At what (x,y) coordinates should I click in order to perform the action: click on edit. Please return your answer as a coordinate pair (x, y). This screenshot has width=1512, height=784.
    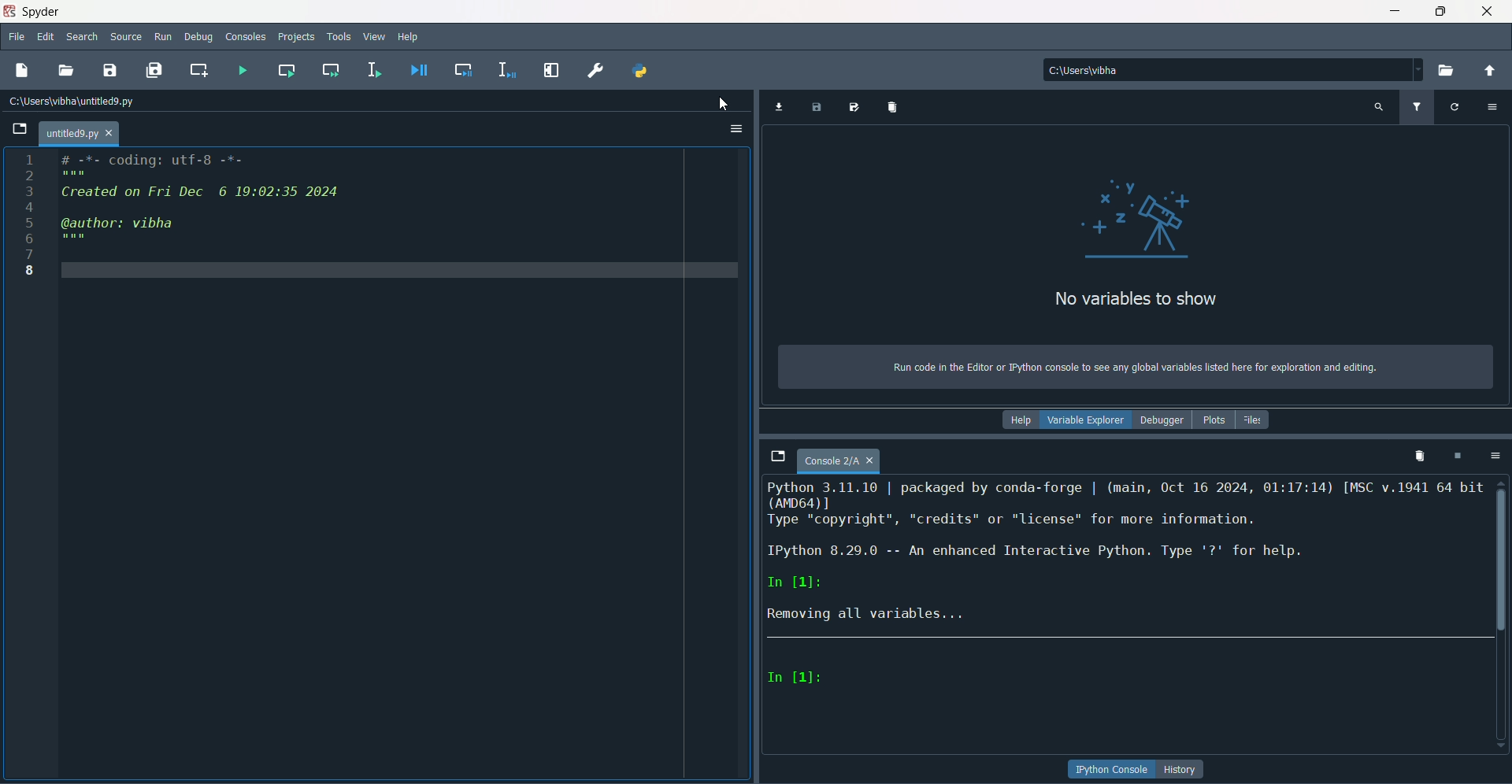
    Looking at the image, I should click on (46, 38).